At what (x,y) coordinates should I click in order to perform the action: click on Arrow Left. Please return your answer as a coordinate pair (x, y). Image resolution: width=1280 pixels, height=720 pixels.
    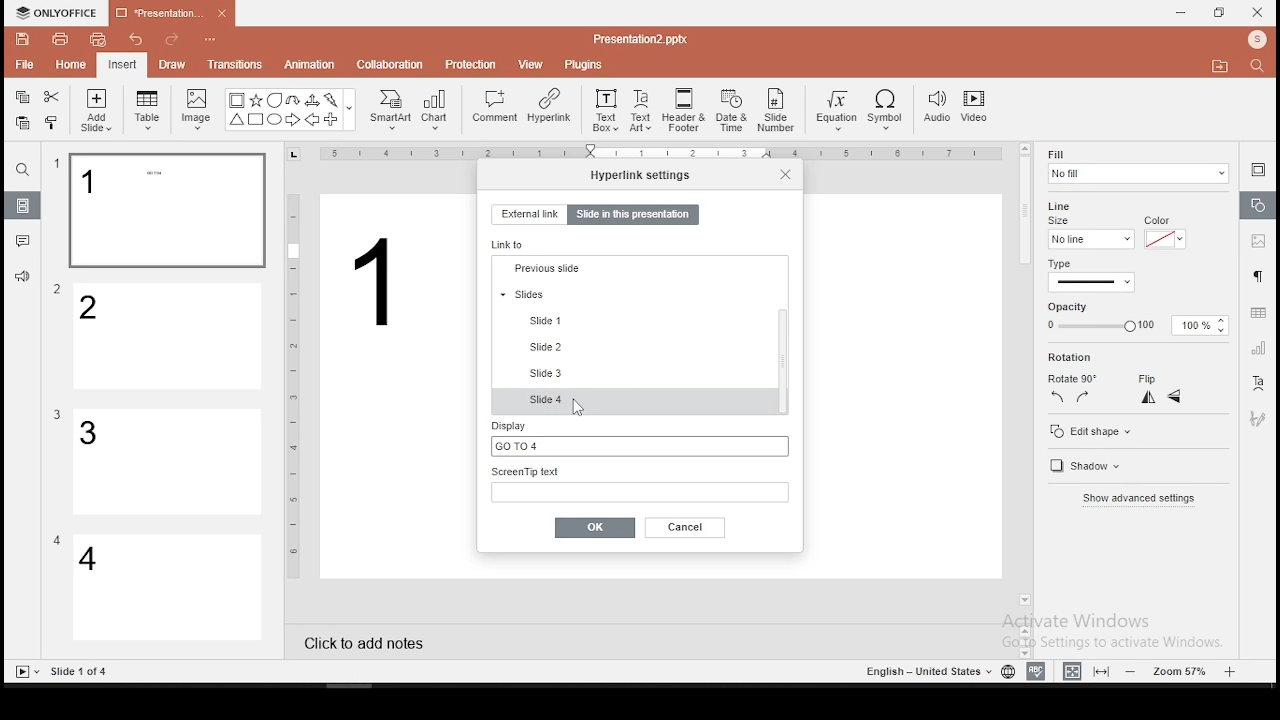
    Looking at the image, I should click on (312, 120).